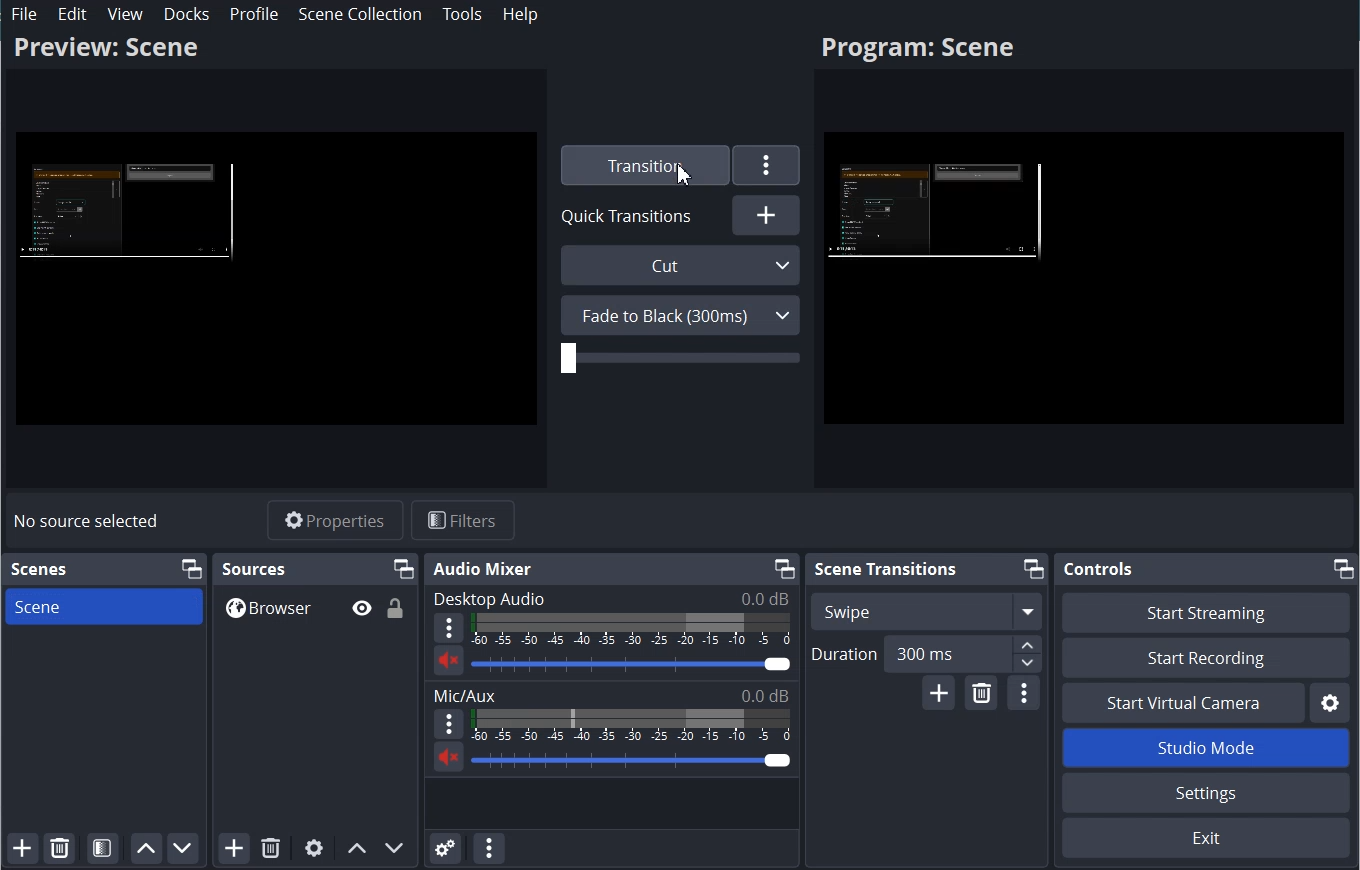 The height and width of the screenshot is (870, 1360). What do you see at coordinates (361, 608) in the screenshot?
I see `Hide` at bounding box center [361, 608].